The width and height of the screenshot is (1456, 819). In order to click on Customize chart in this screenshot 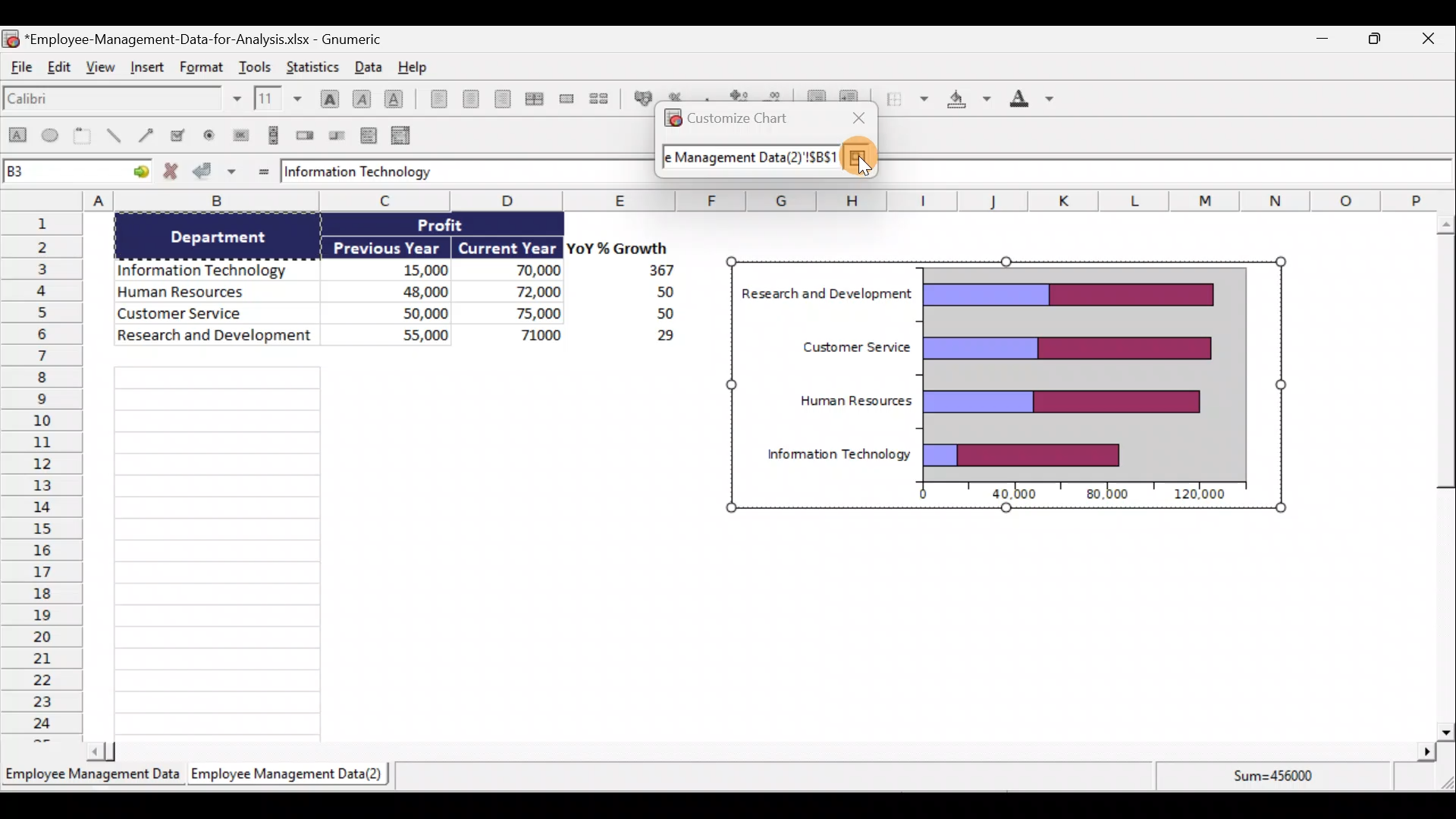, I will do `click(742, 119)`.